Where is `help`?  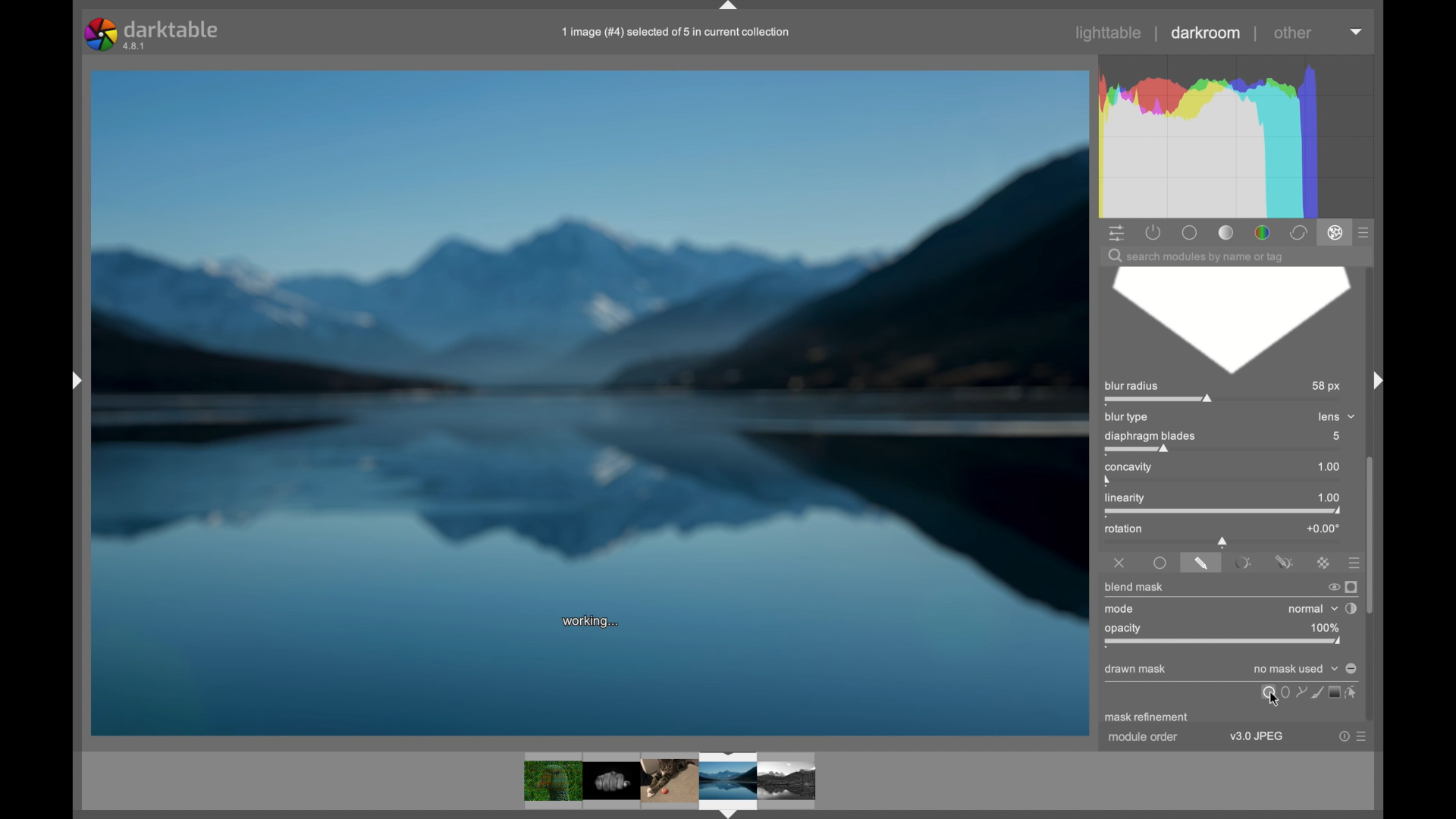 help is located at coordinates (1338, 736).